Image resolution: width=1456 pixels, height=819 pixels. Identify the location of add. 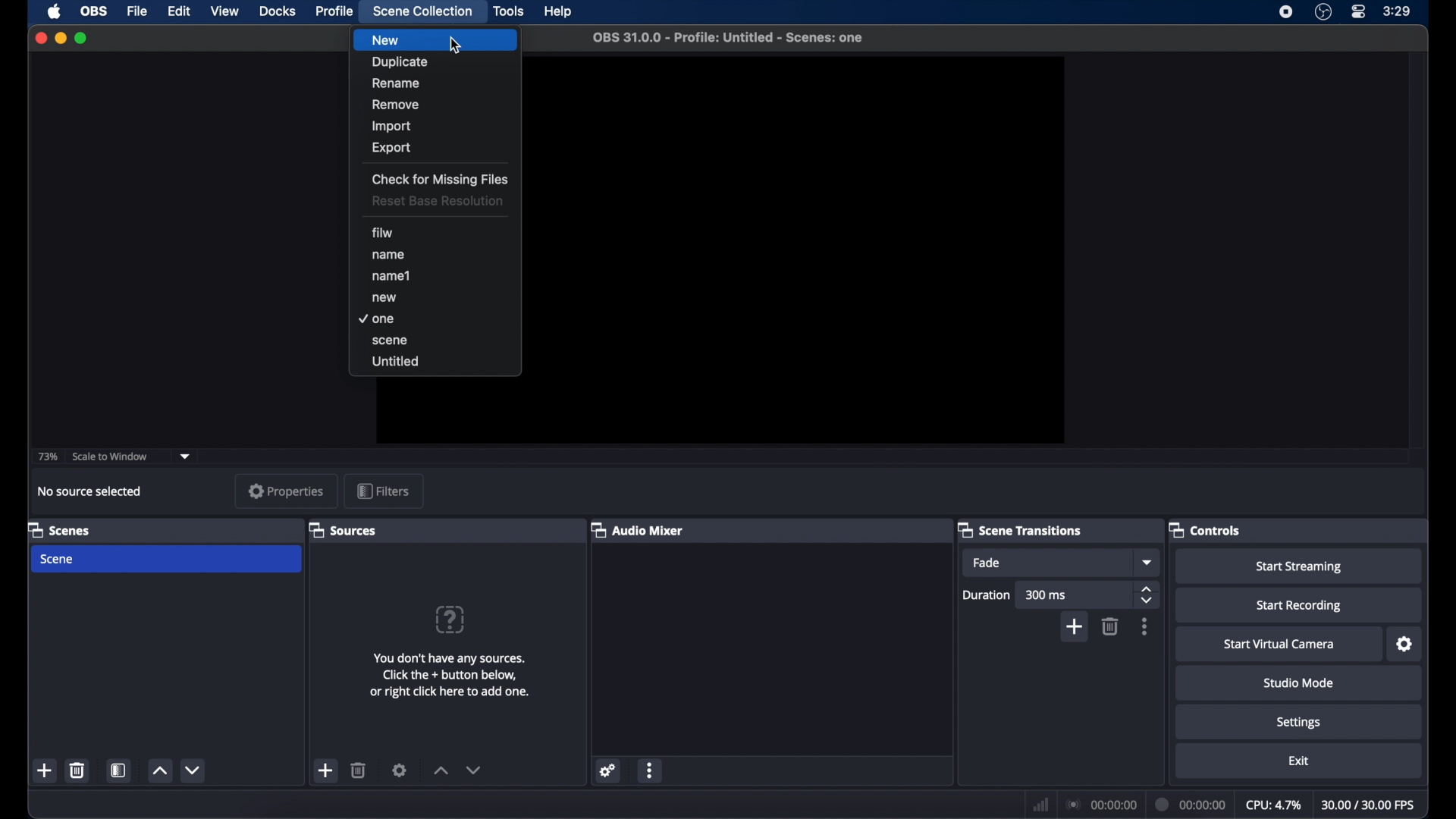
(325, 770).